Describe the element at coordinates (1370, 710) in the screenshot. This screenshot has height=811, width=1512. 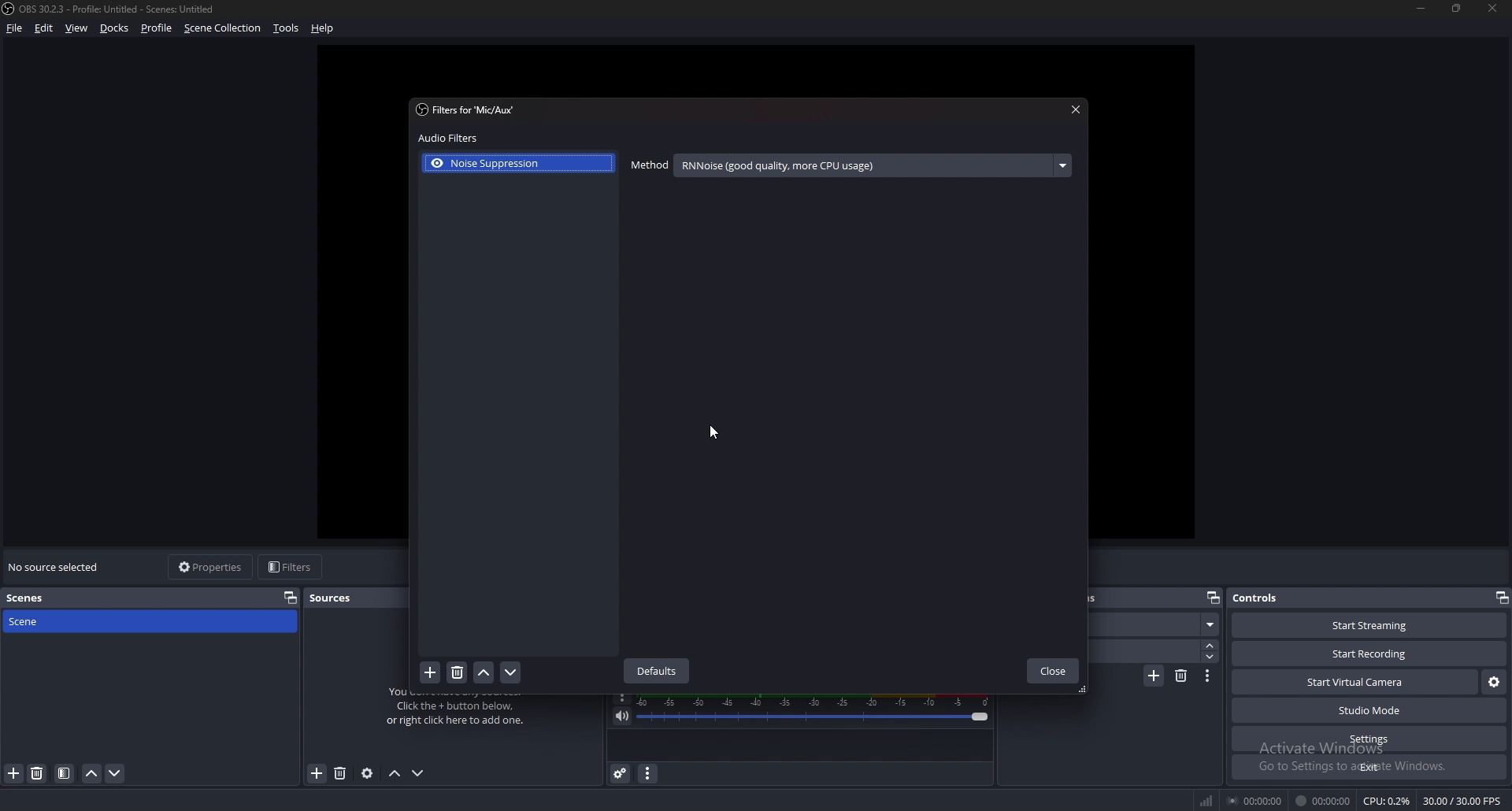
I see `studio mode` at that location.